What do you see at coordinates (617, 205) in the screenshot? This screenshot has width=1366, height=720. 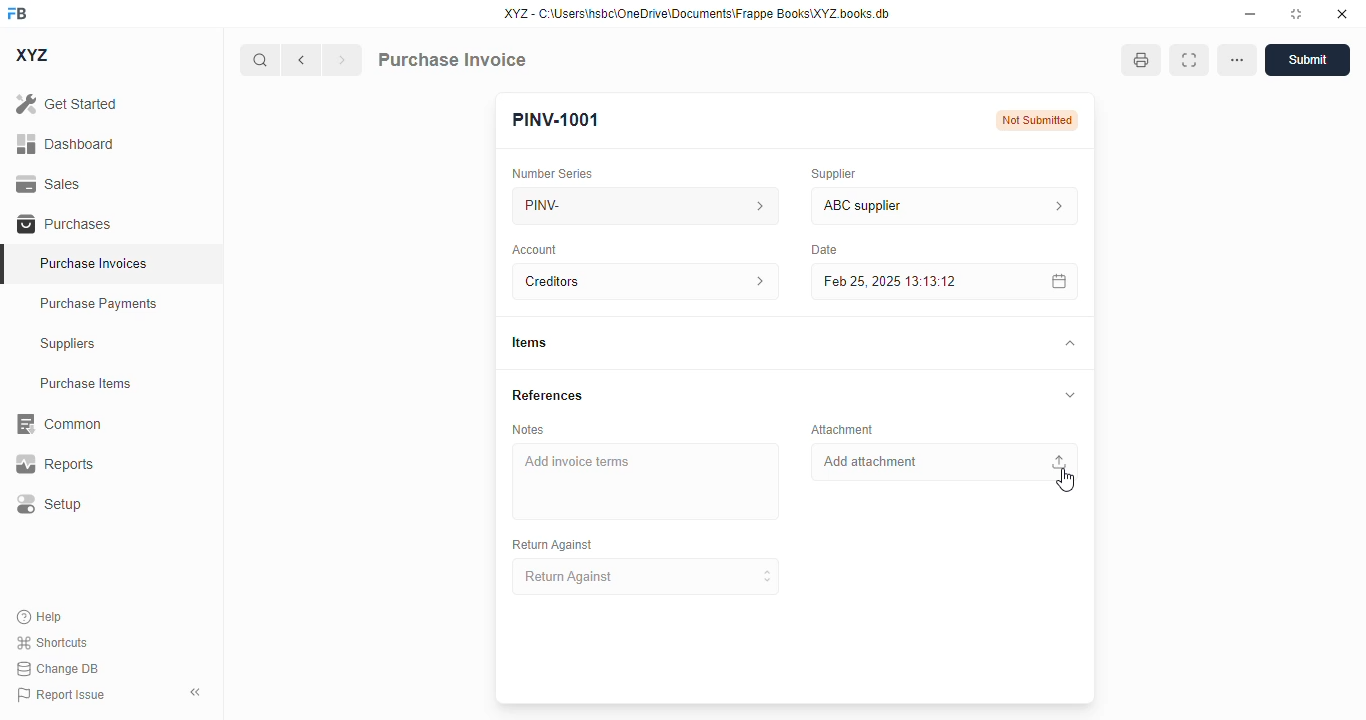 I see `PINV-` at bounding box center [617, 205].